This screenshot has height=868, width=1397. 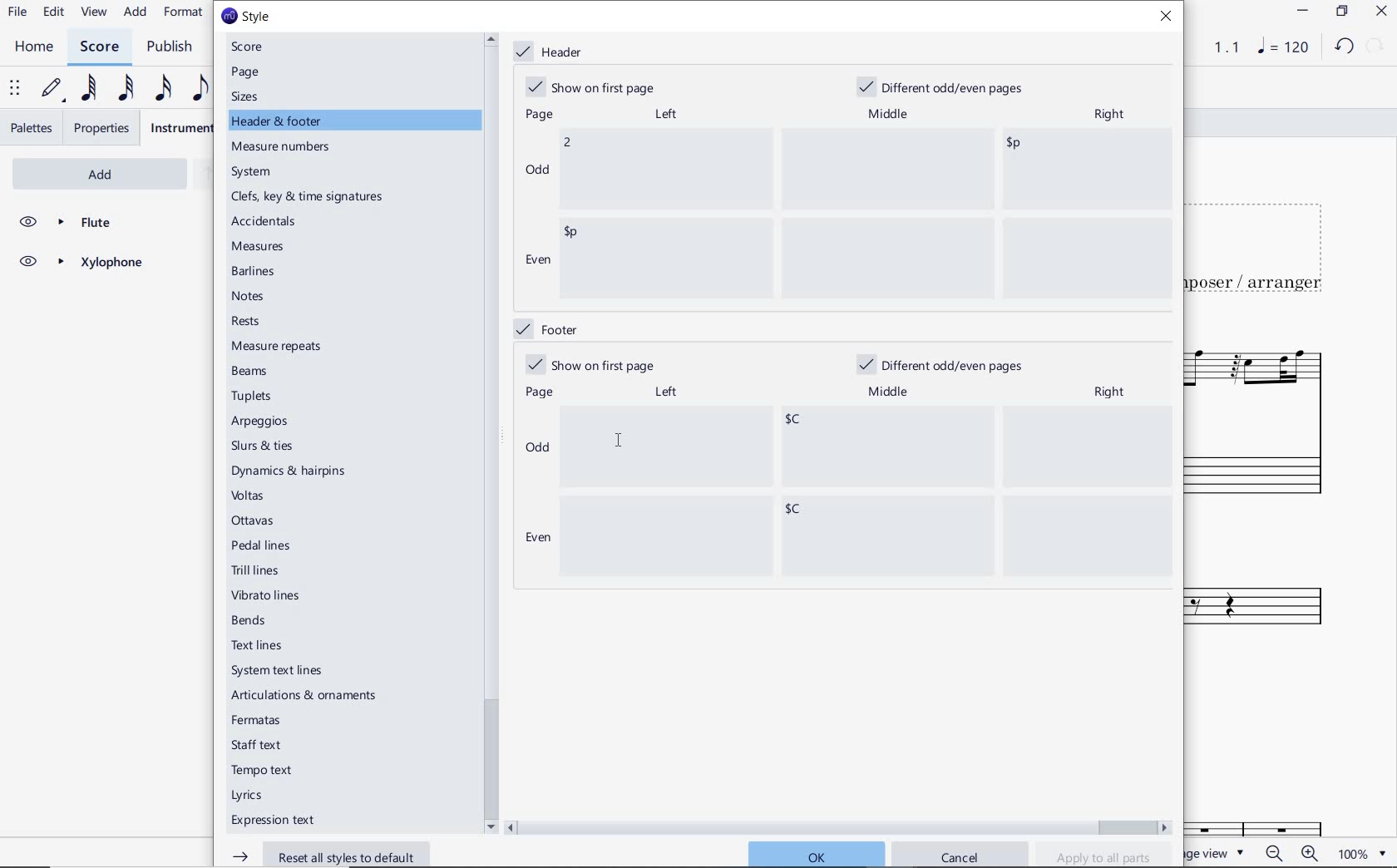 I want to click on PLAY TIME, so click(x=1217, y=47).